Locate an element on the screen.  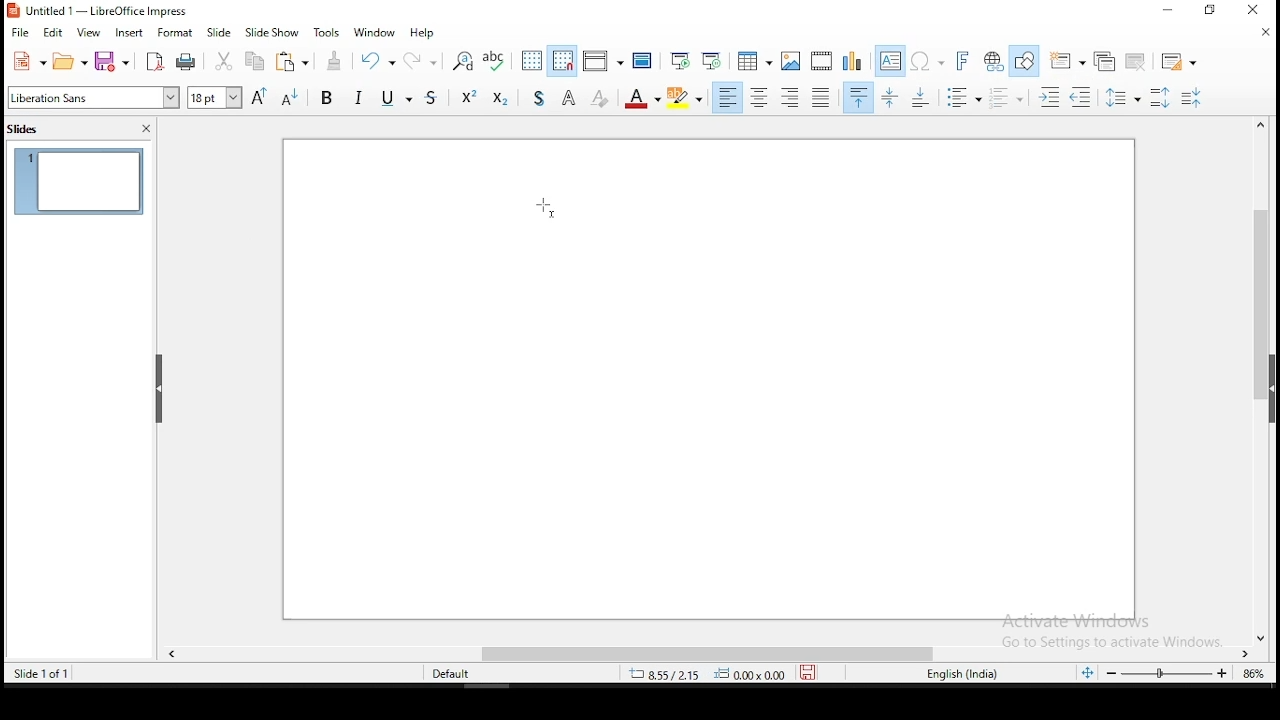
delete slide is located at coordinates (1137, 59).